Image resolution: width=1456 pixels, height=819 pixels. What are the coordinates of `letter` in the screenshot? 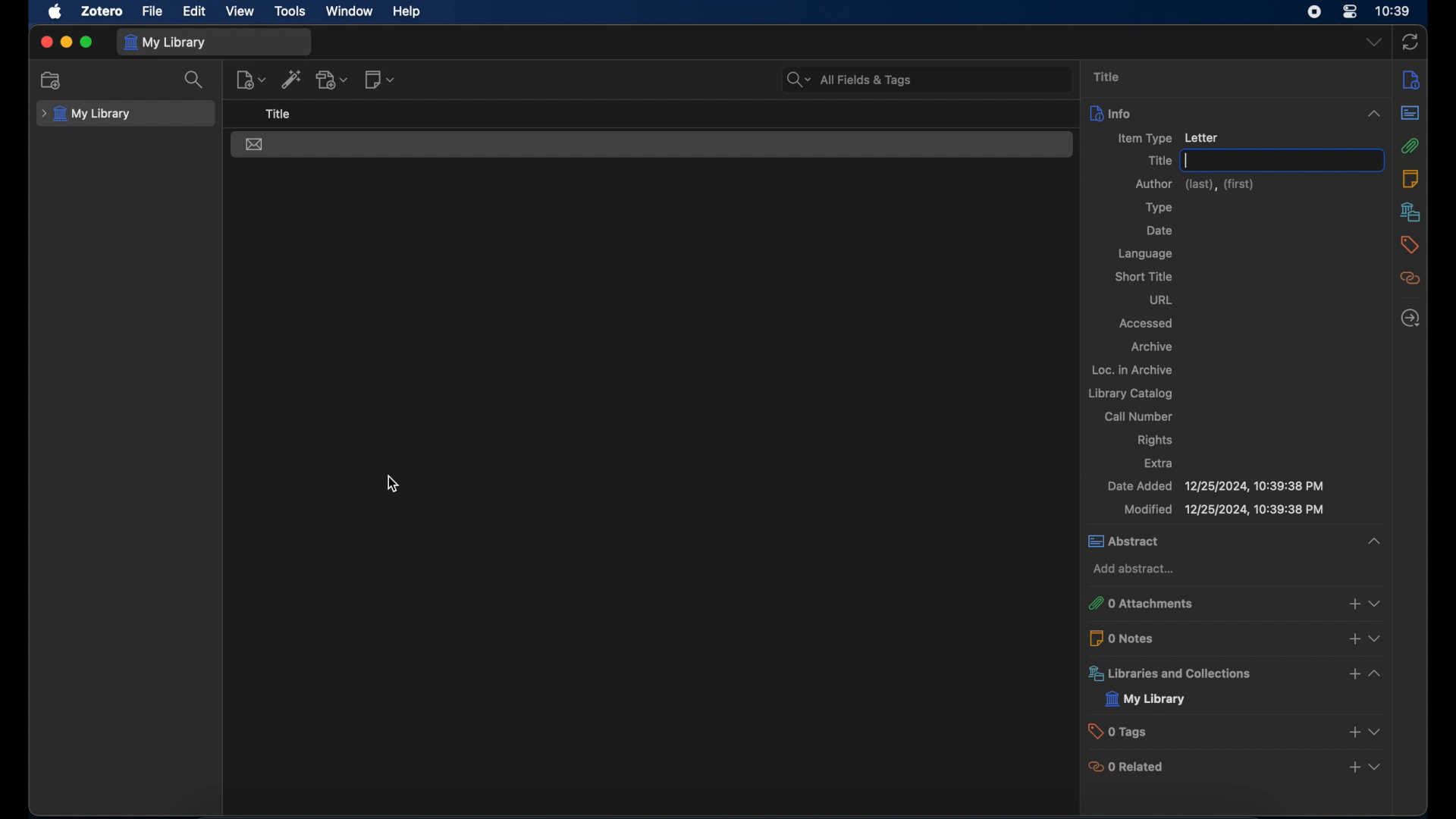 It's located at (256, 146).